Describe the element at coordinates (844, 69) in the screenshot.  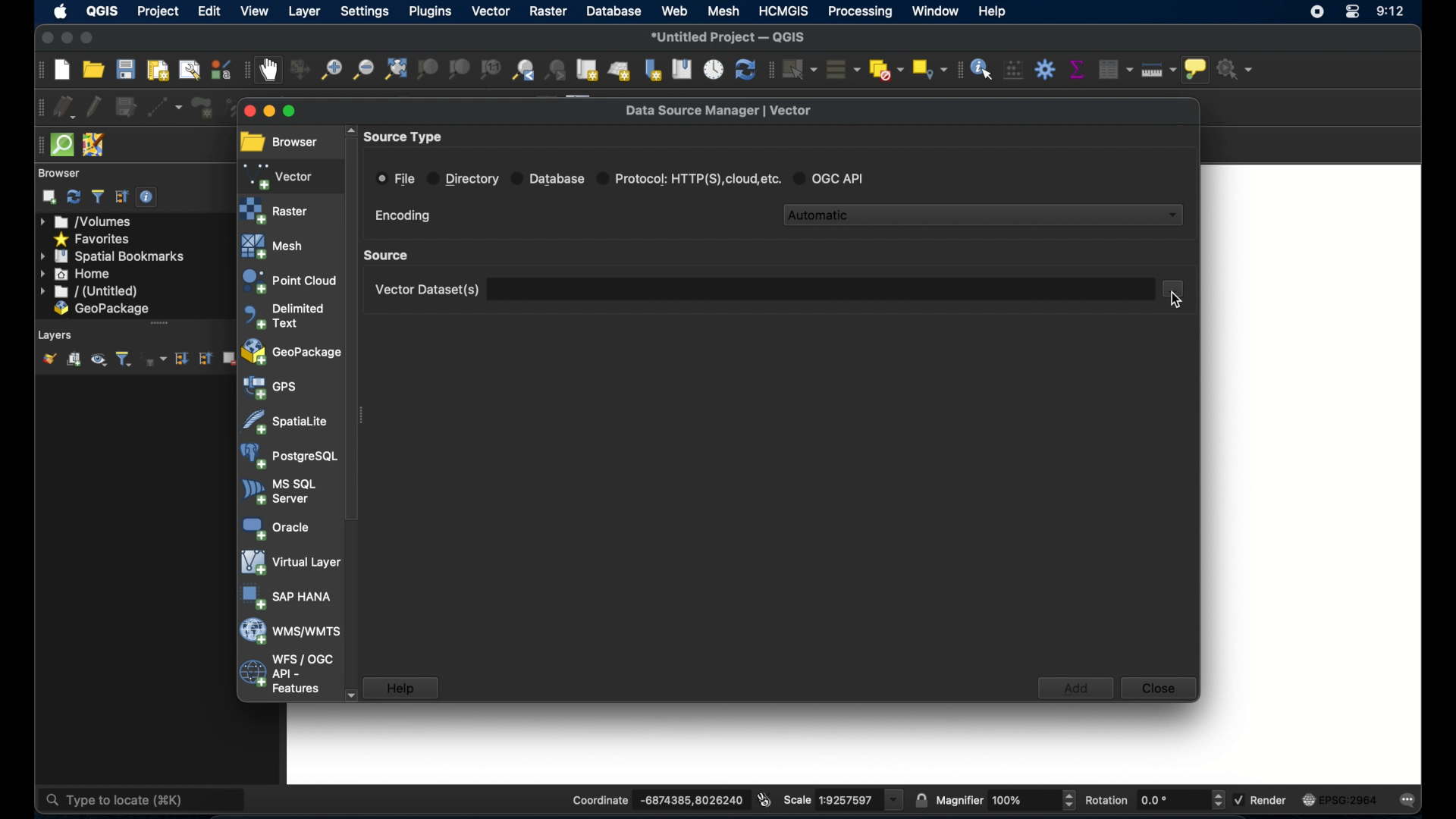
I see `select all features` at that location.